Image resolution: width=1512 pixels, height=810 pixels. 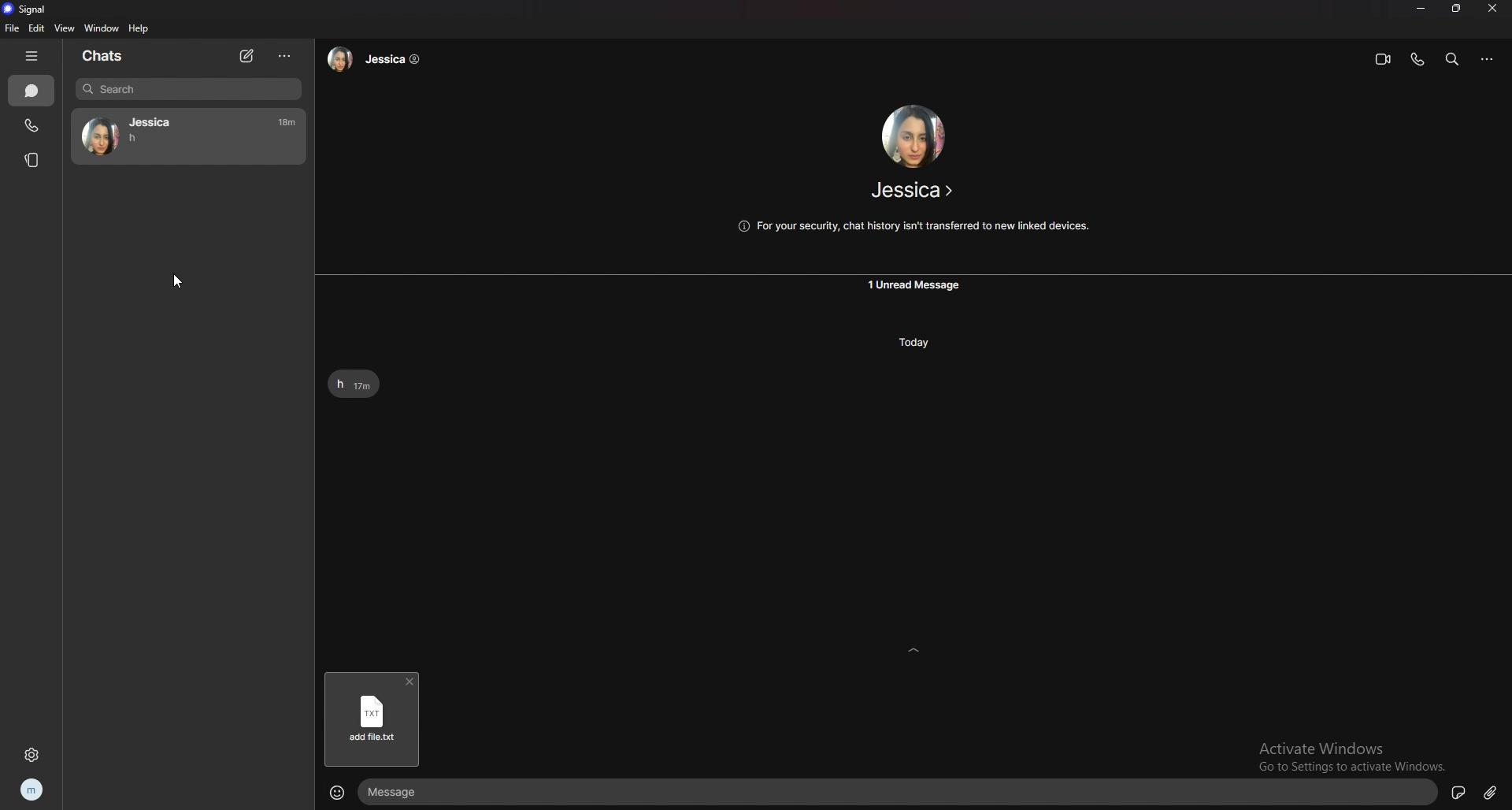 I want to click on signal, so click(x=27, y=9).